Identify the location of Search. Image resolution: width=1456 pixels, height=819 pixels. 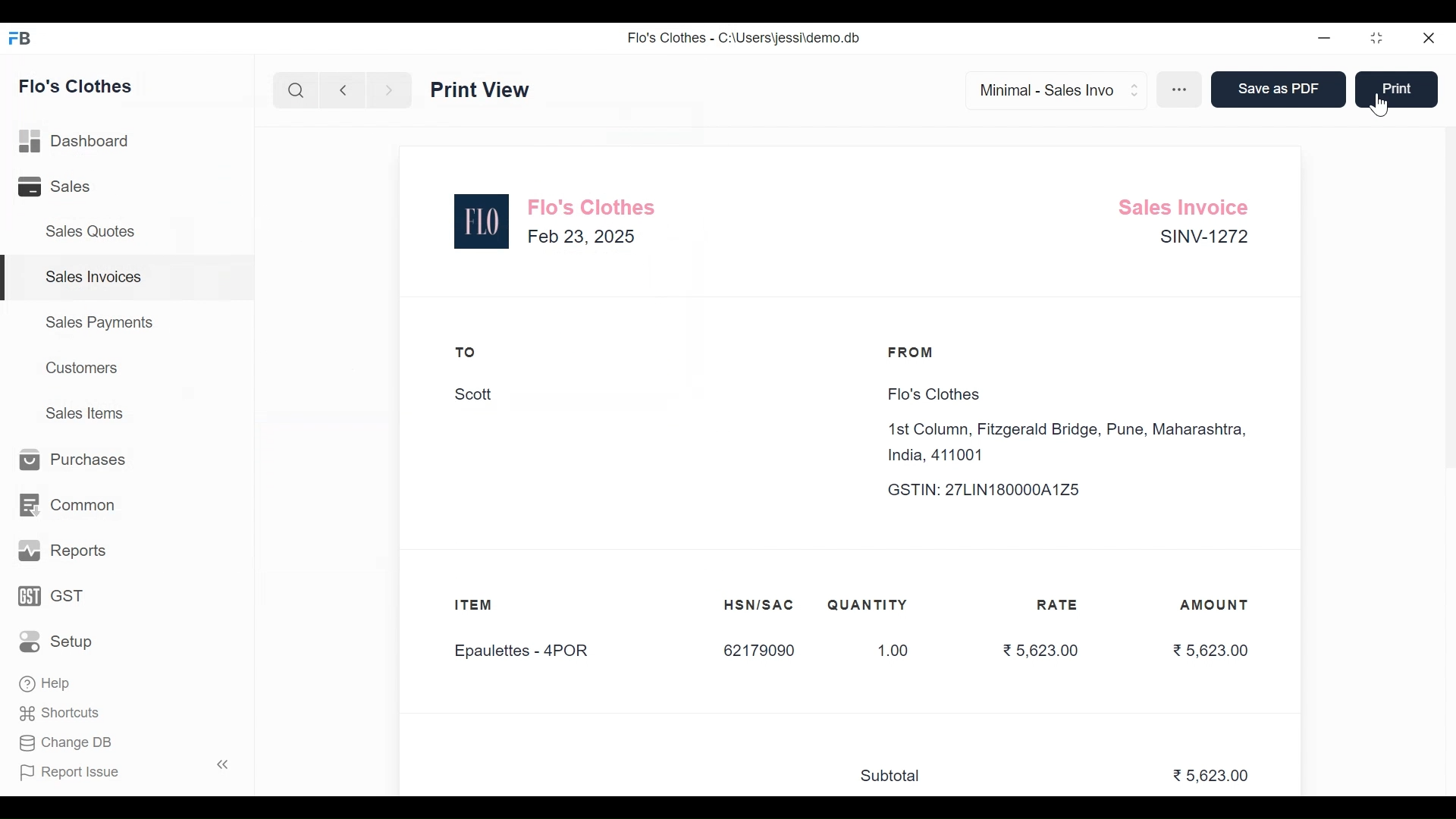
(297, 90).